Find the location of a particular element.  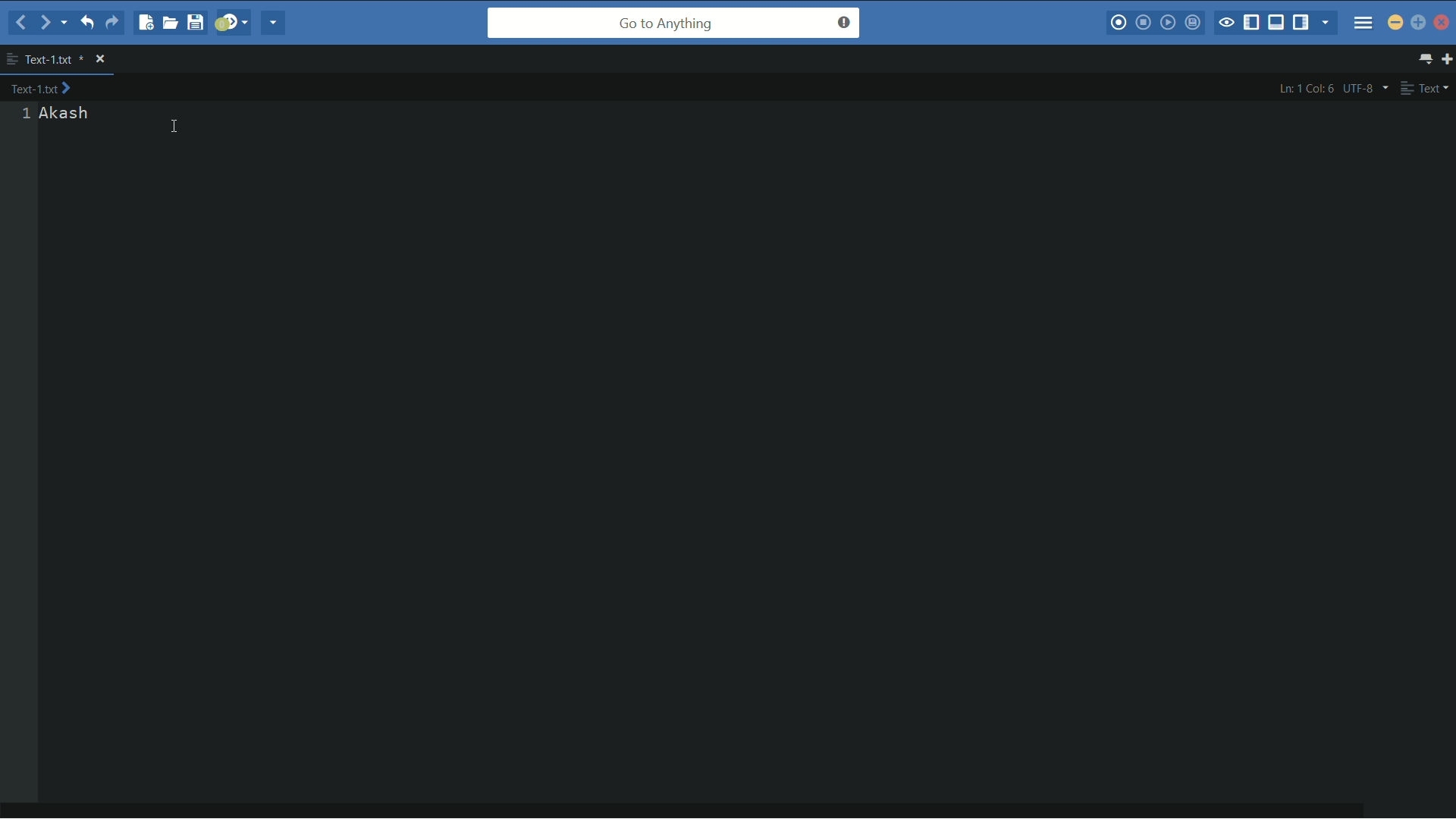

jump to next syntax checking result is located at coordinates (231, 23).